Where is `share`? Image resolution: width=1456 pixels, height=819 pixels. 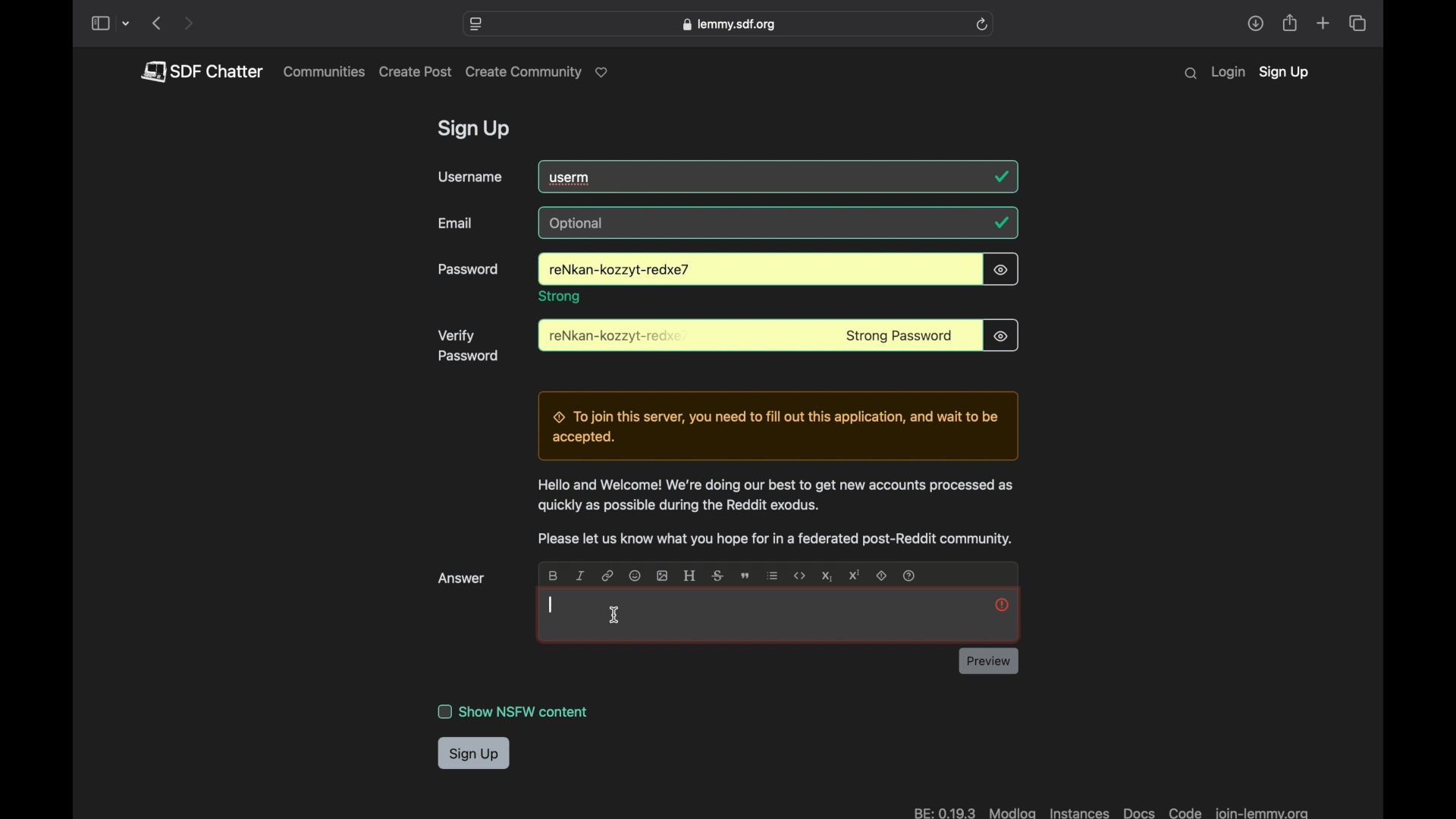 share is located at coordinates (1255, 24).